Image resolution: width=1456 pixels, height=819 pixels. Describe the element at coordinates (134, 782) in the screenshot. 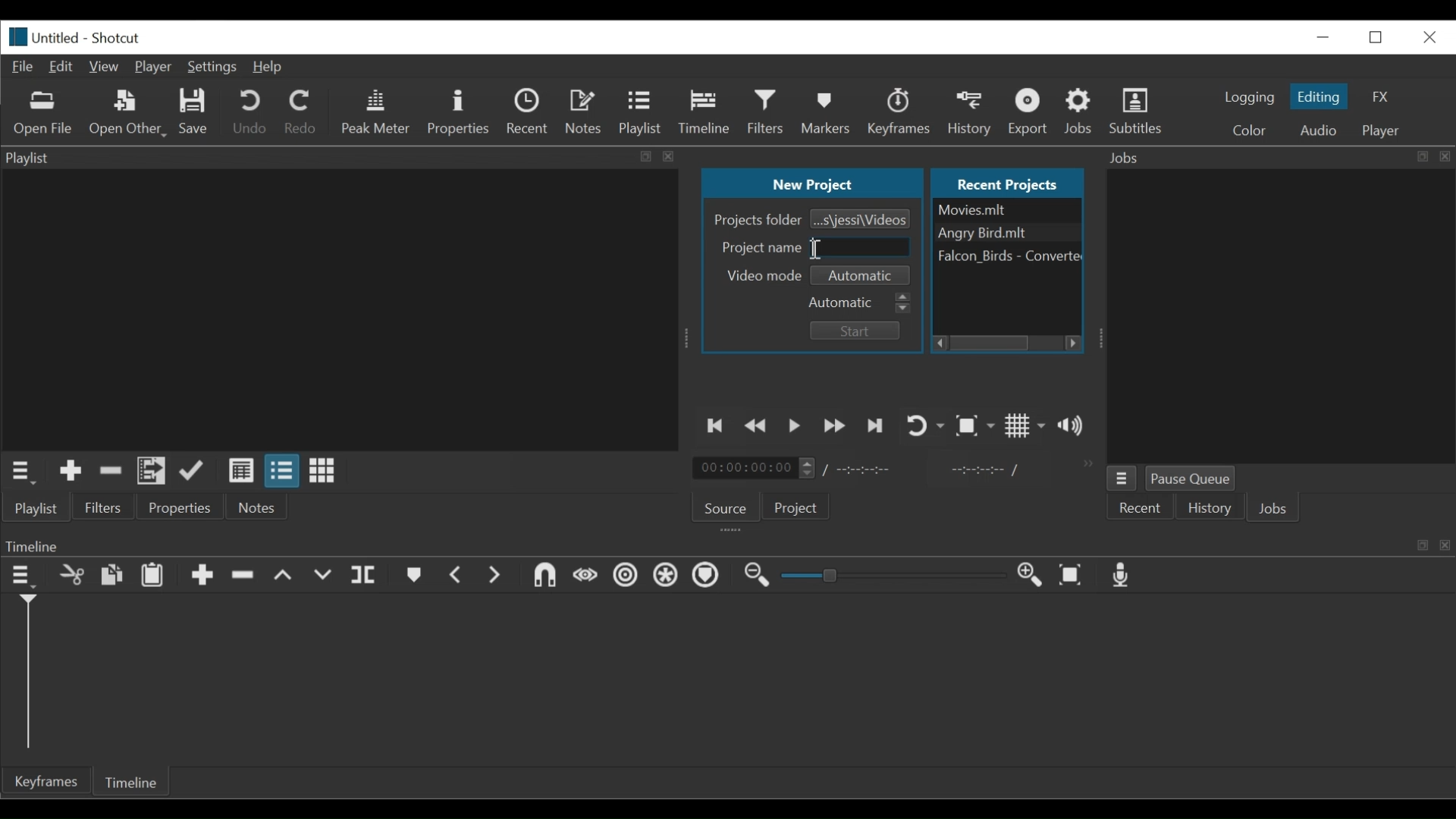

I see `Timeline` at that location.